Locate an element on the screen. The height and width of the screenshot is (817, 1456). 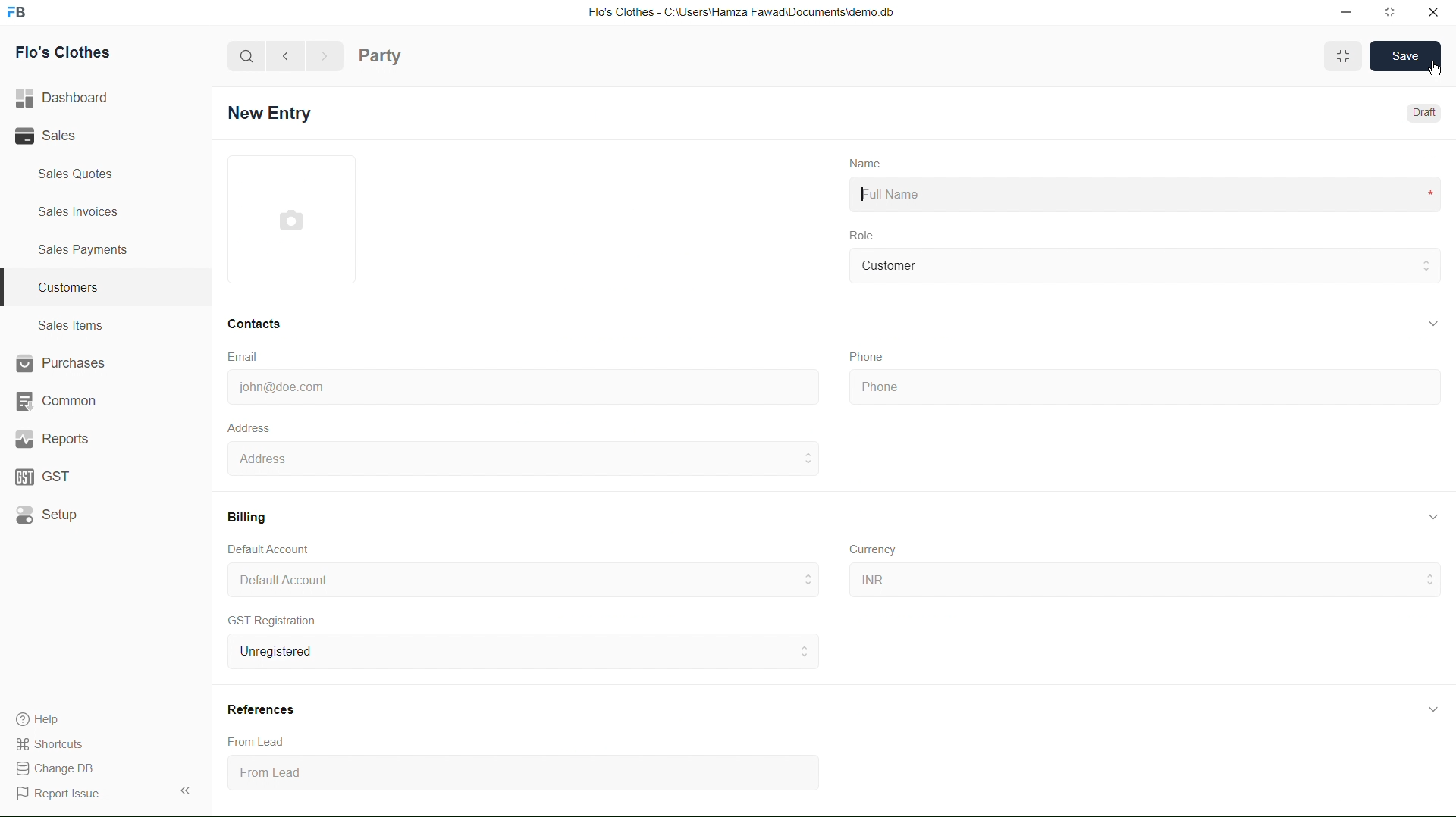
Contacts is located at coordinates (259, 324).